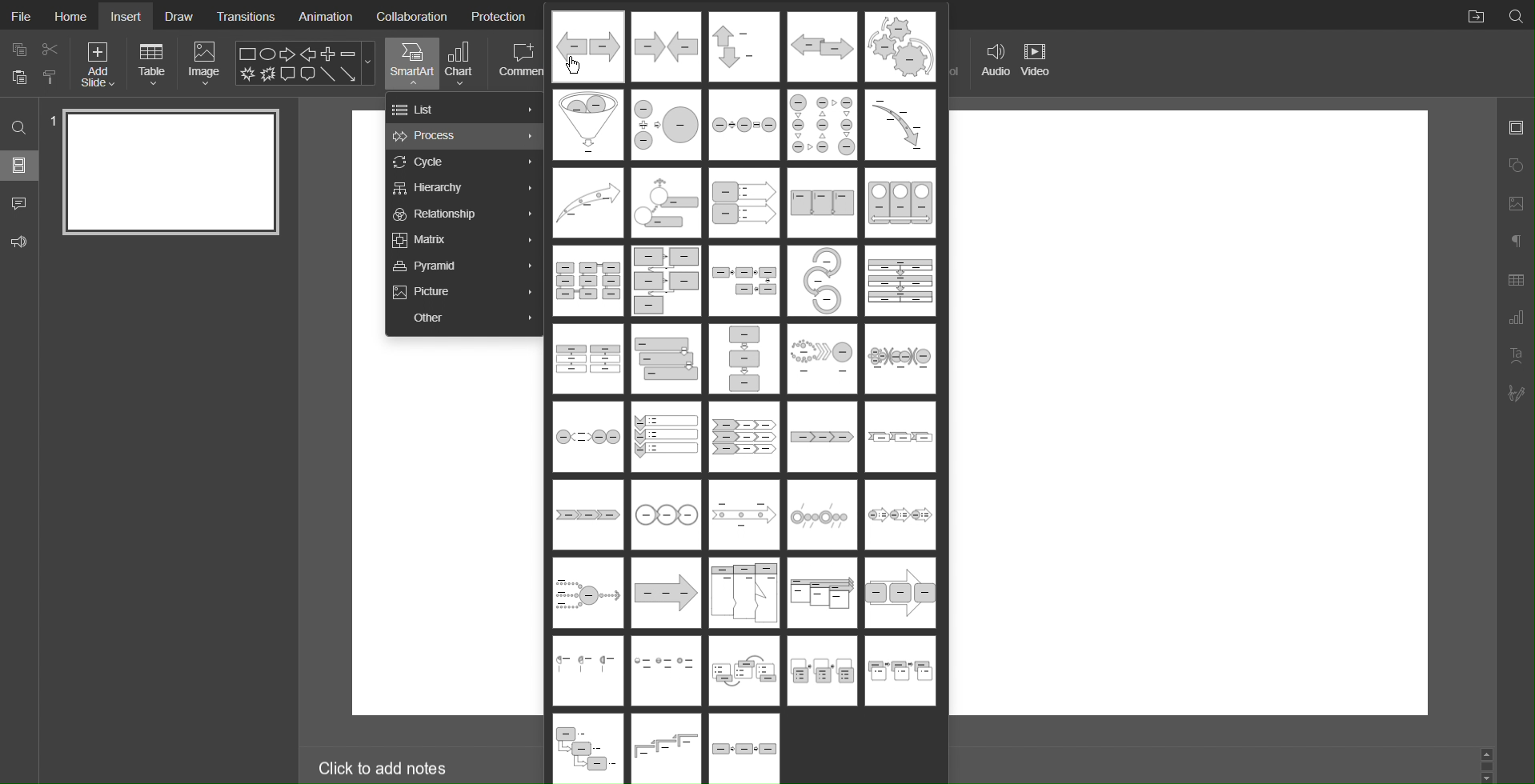  Describe the element at coordinates (742, 46) in the screenshot. I see `Process Template 3` at that location.